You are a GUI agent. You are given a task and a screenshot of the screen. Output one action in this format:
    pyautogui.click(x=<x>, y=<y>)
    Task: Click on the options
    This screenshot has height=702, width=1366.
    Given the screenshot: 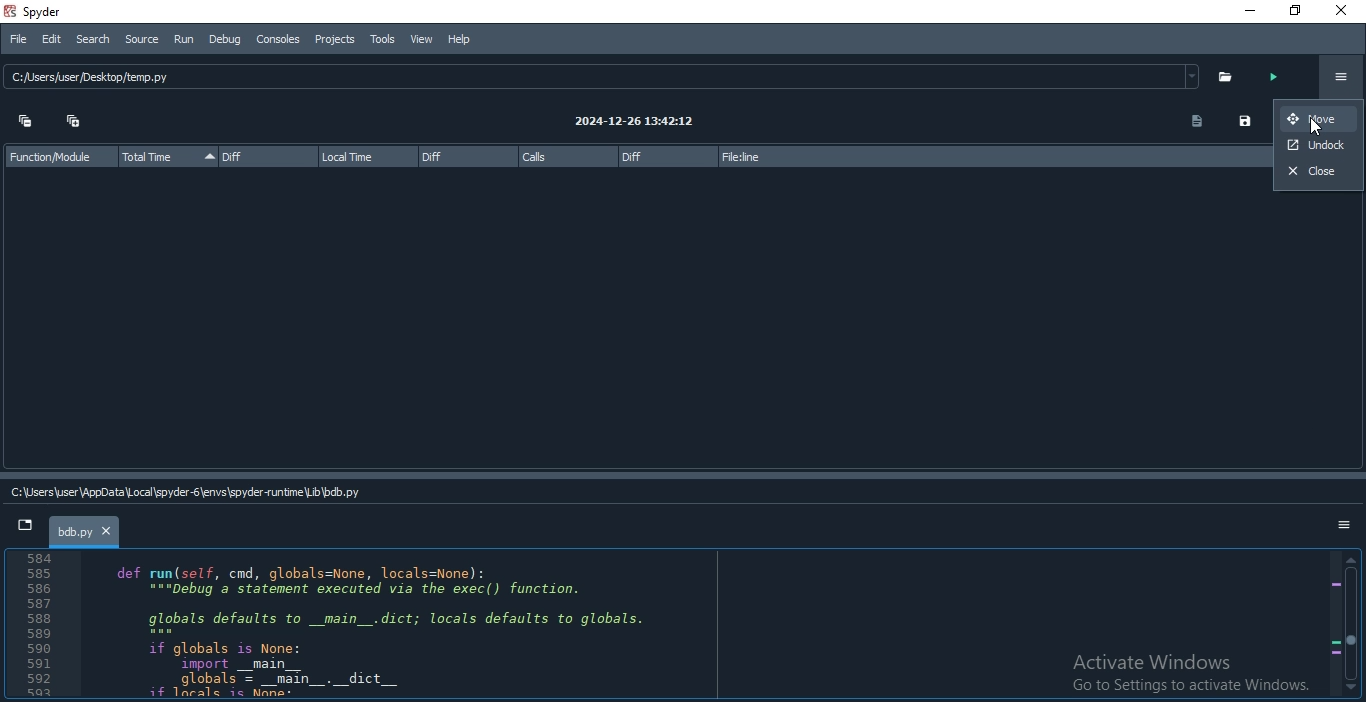 What is the action you would take?
    pyautogui.click(x=1338, y=526)
    